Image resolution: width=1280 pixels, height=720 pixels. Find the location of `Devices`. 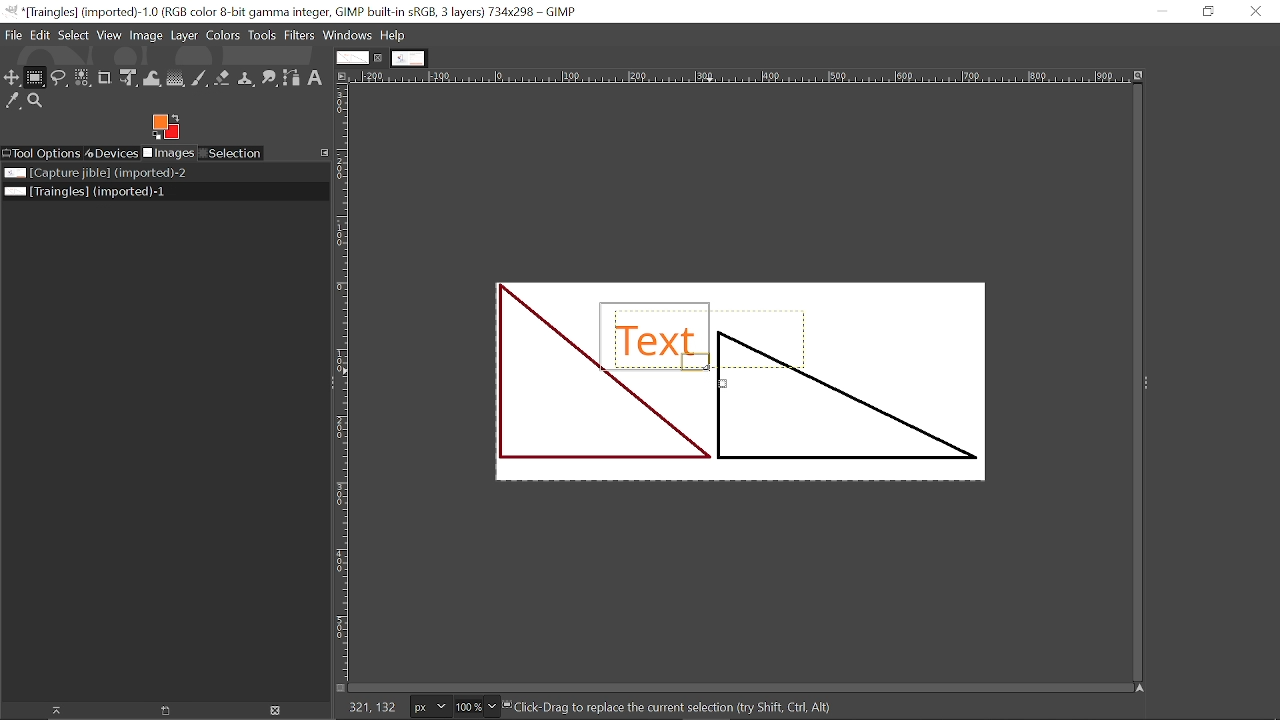

Devices is located at coordinates (111, 152).